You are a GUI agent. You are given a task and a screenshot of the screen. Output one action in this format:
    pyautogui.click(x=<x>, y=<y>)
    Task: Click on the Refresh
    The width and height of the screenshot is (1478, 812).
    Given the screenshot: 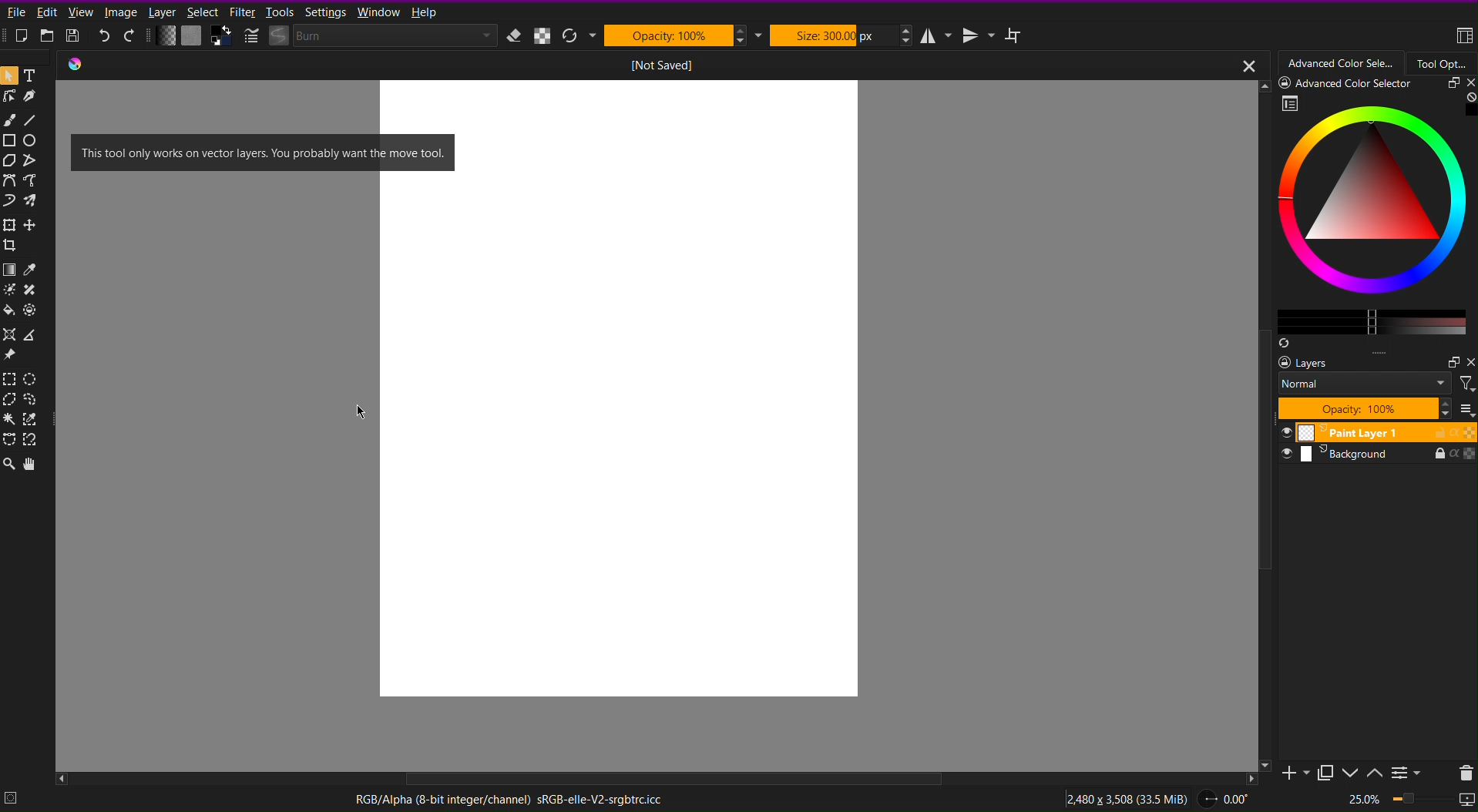 What is the action you would take?
    pyautogui.click(x=575, y=35)
    